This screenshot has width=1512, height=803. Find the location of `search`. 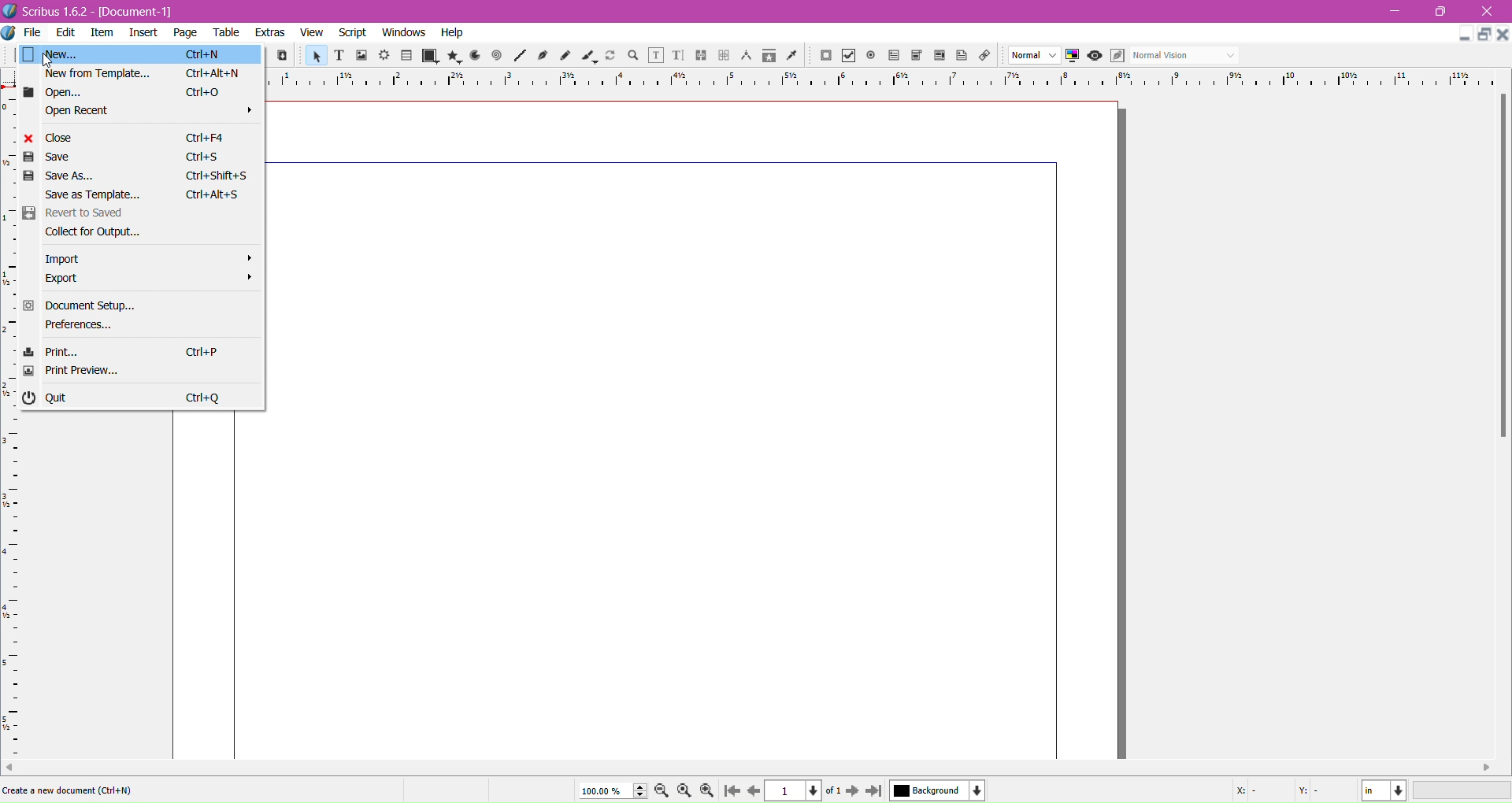

search is located at coordinates (632, 57).